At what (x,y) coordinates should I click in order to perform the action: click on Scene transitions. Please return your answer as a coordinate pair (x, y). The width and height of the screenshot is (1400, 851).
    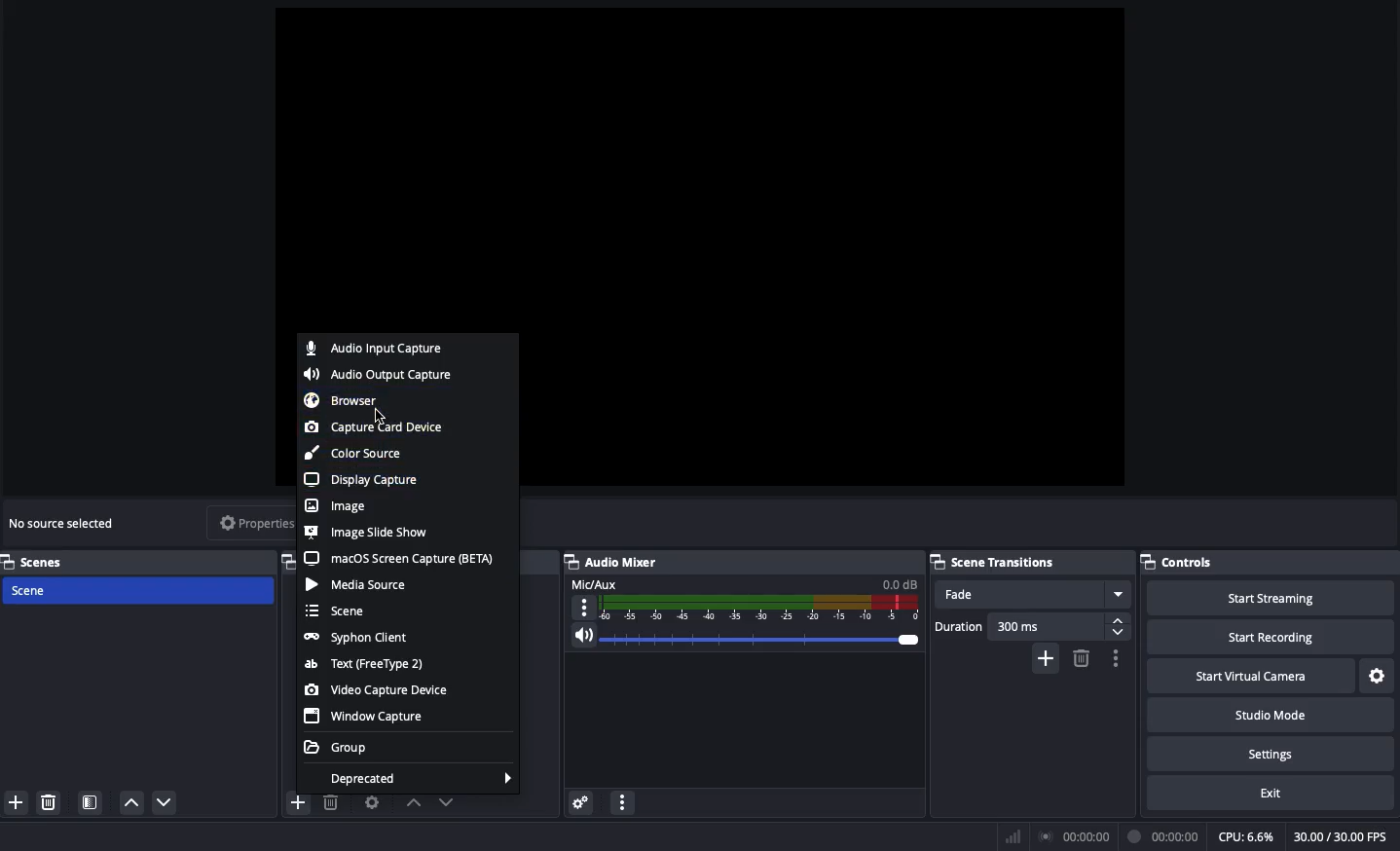
    Looking at the image, I should click on (994, 563).